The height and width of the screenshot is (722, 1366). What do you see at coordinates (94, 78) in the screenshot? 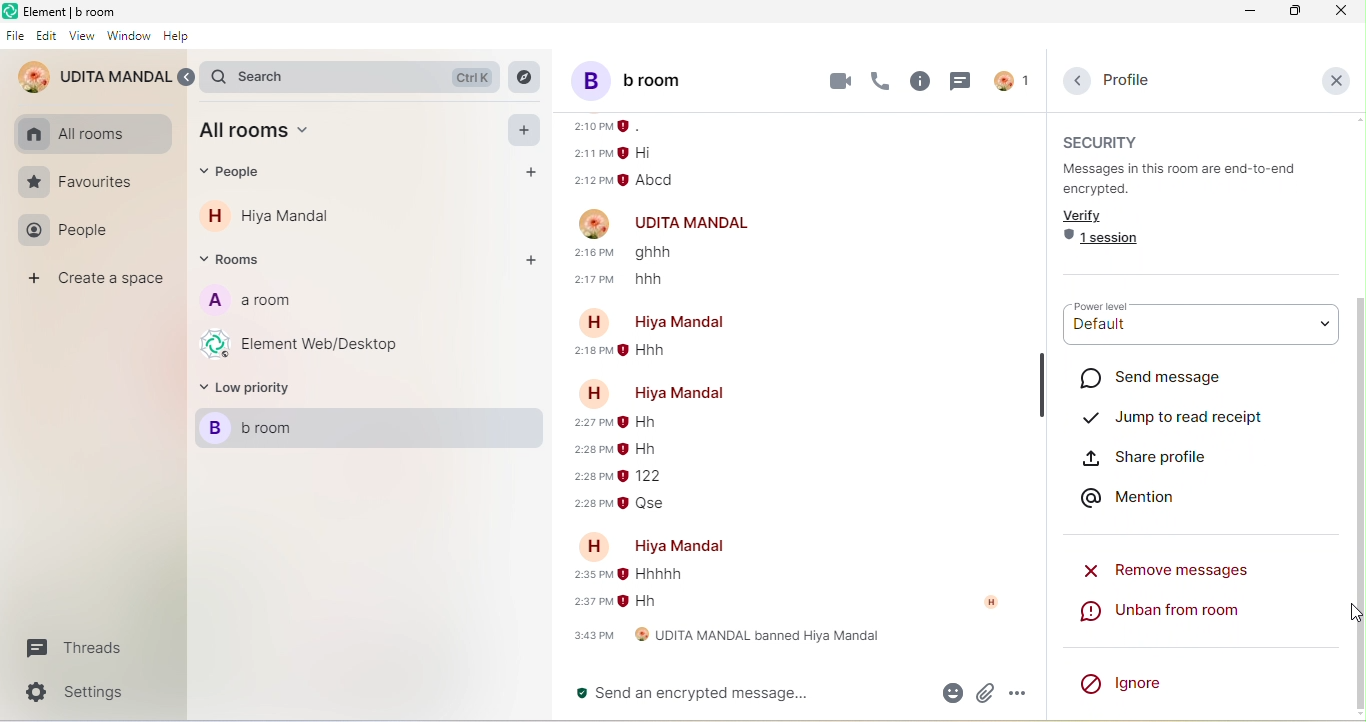
I see `udita mandal` at bounding box center [94, 78].